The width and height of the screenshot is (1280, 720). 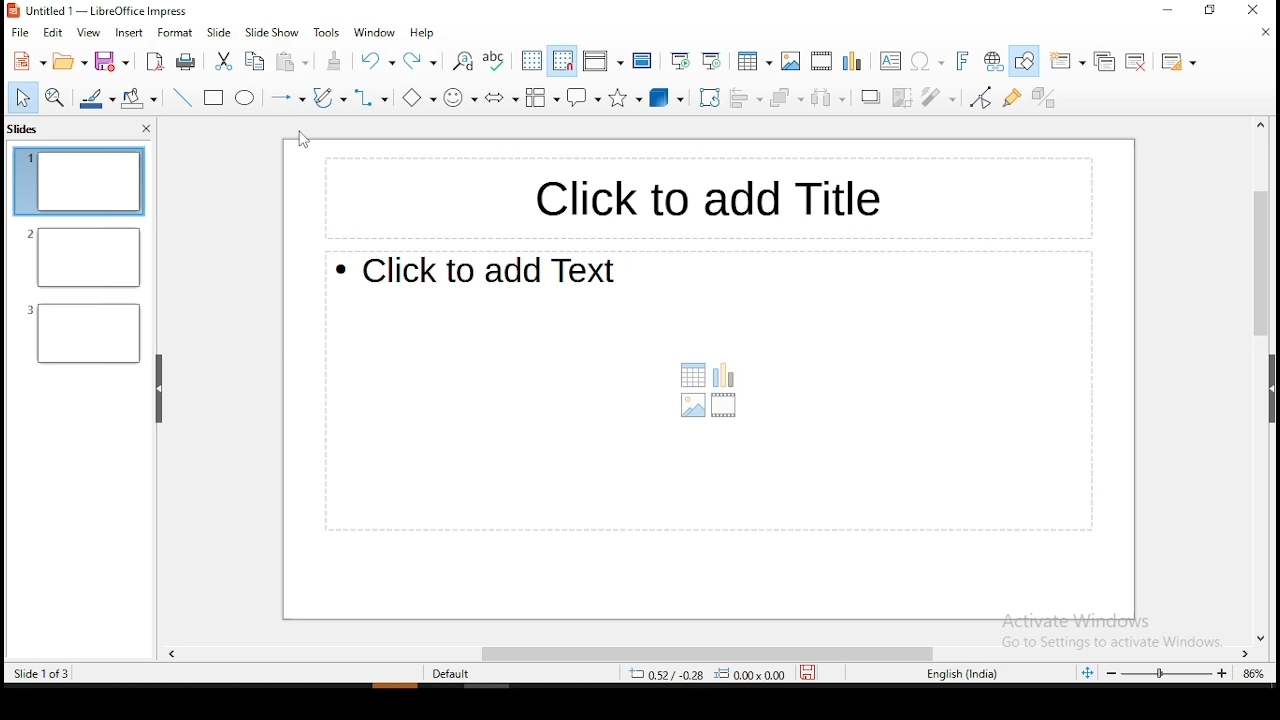 I want to click on text box, so click(x=891, y=60).